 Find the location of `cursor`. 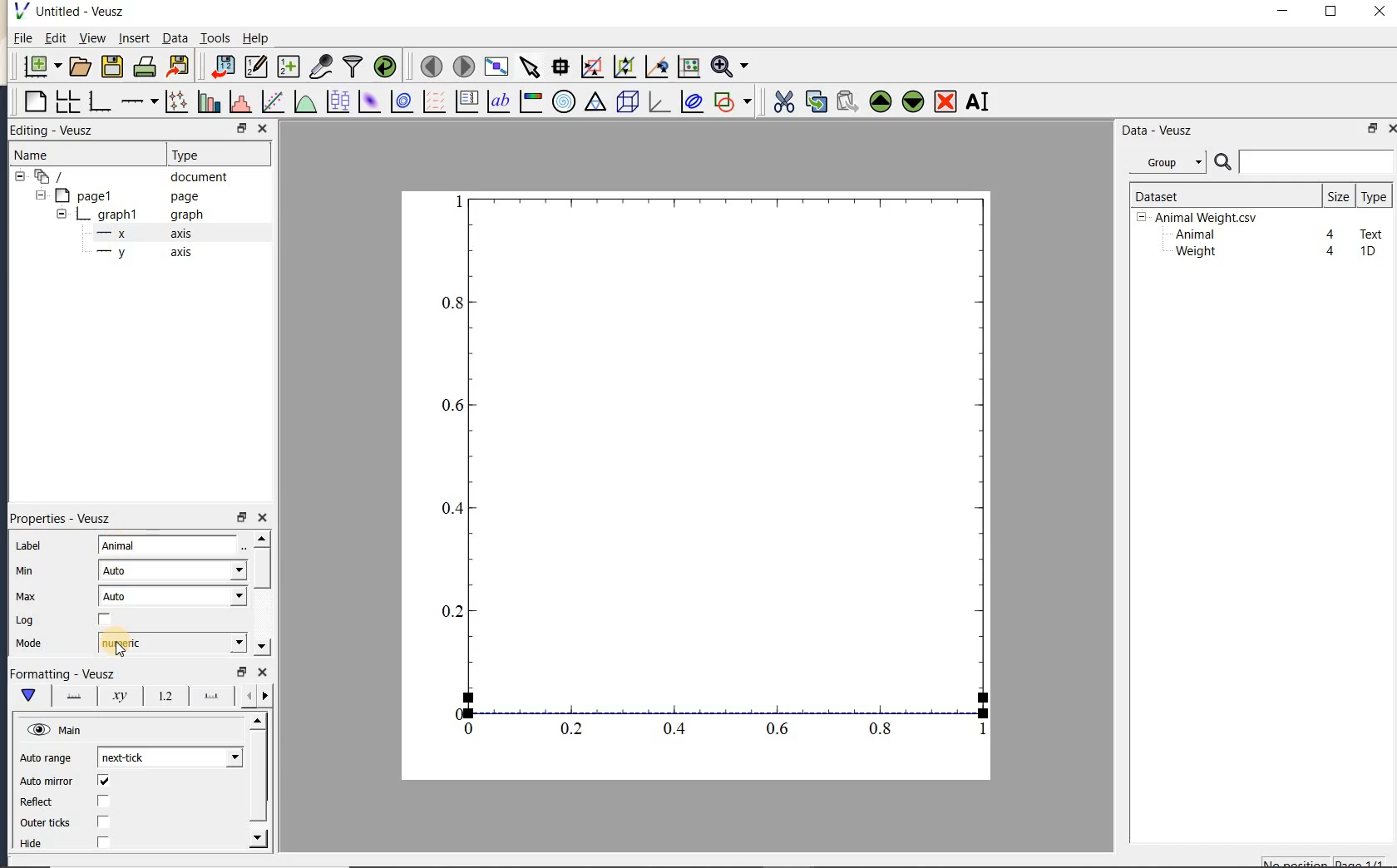

cursor is located at coordinates (120, 650).